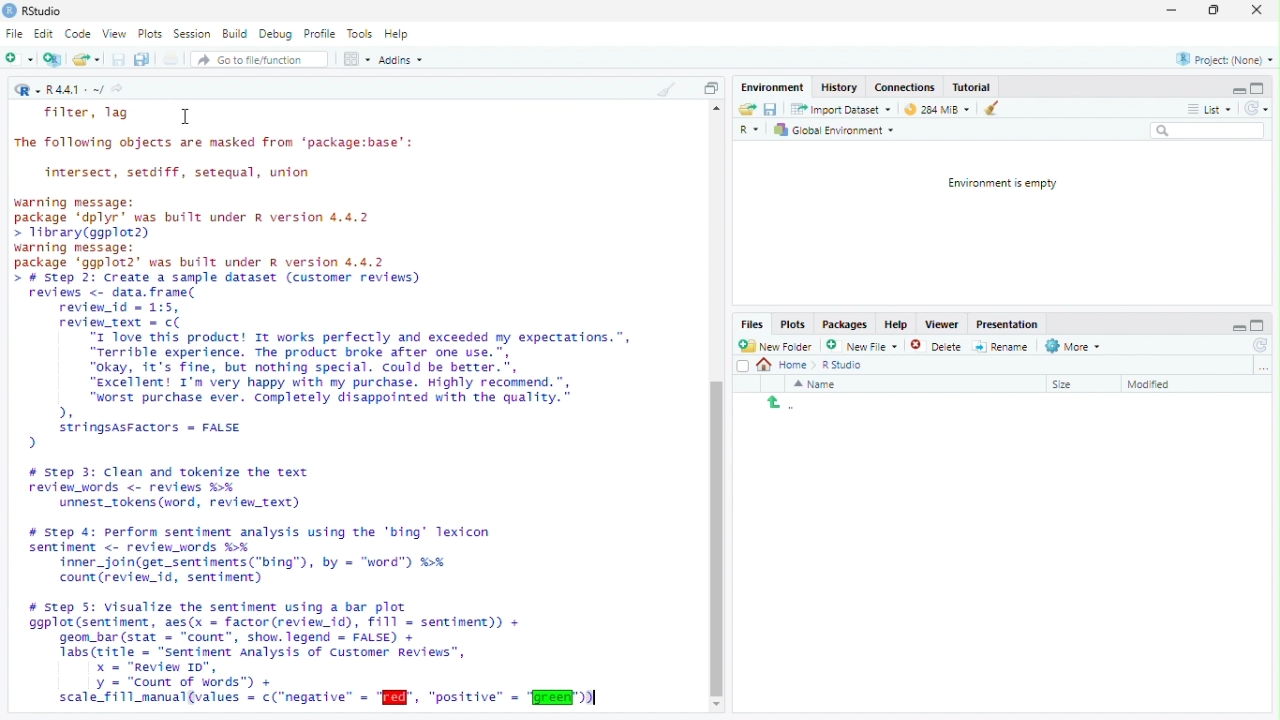  What do you see at coordinates (188, 117) in the screenshot?
I see `Cursor` at bounding box center [188, 117].